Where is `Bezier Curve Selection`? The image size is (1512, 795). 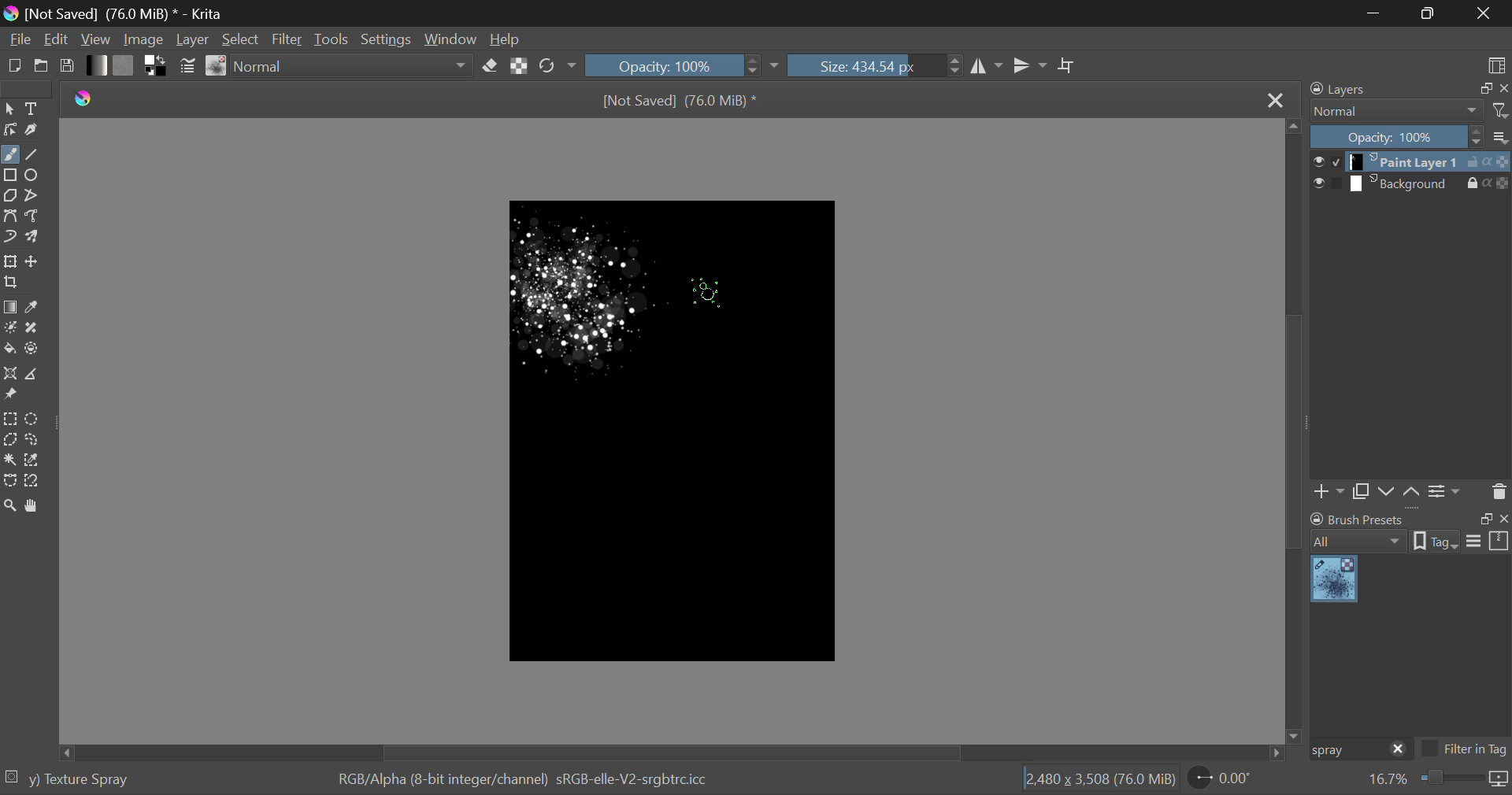
Bezier Curve Selection is located at coordinates (11, 482).